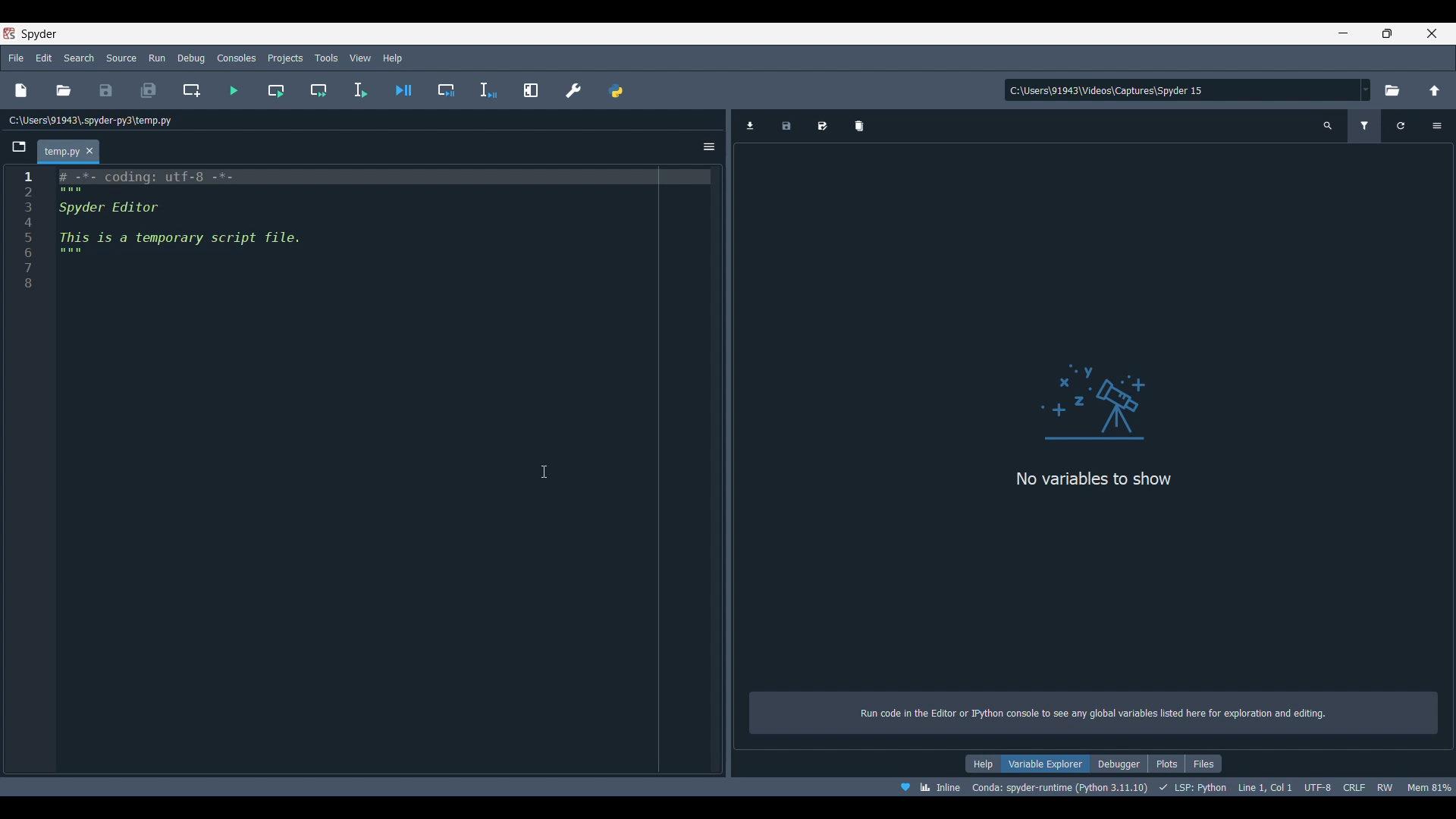 The width and height of the screenshot is (1456, 819). Describe the element at coordinates (234, 90) in the screenshot. I see `Run file` at that location.